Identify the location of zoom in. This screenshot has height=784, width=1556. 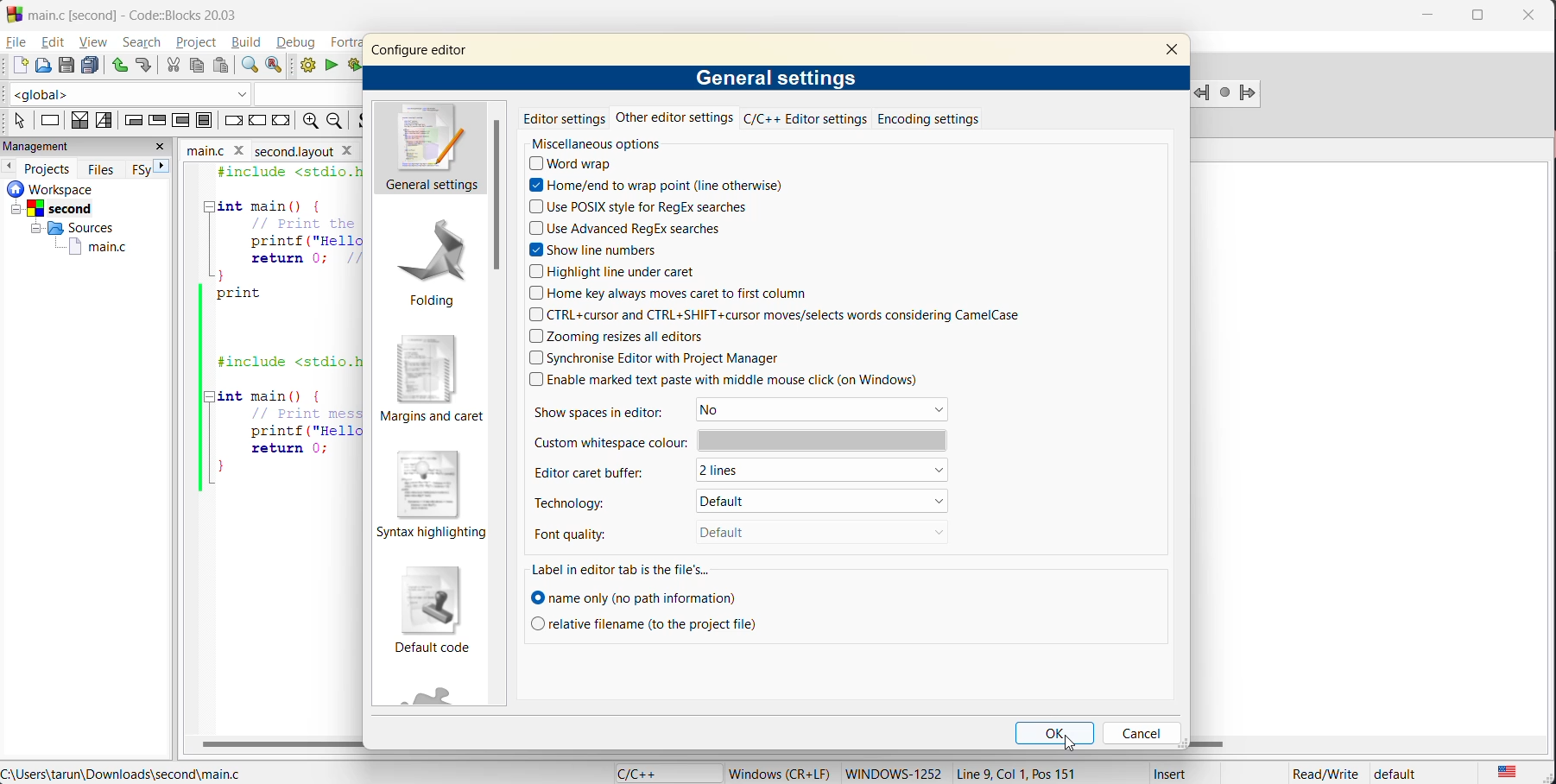
(336, 123).